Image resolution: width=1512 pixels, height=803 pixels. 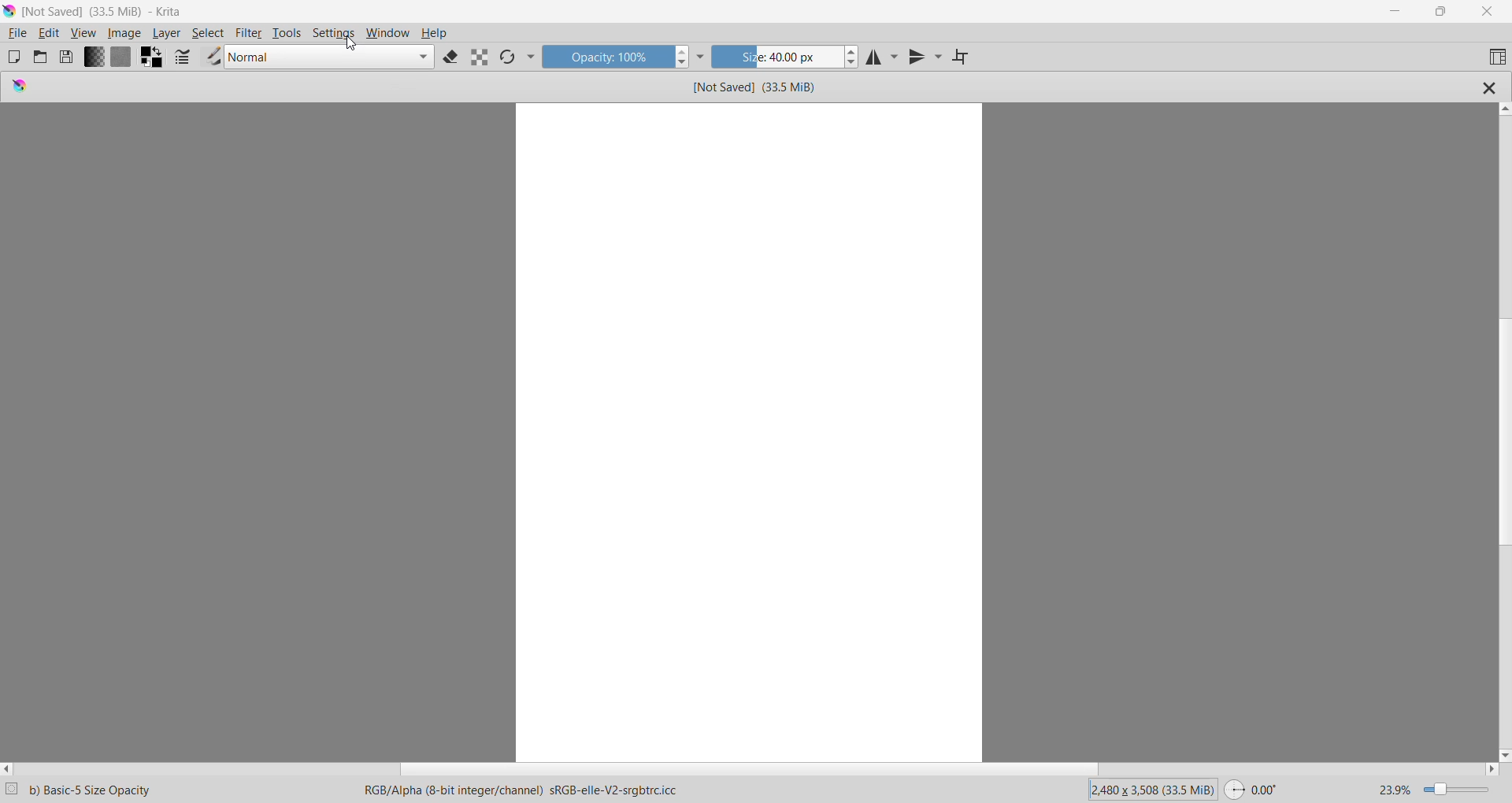 I want to click on Opacity, so click(x=617, y=57).